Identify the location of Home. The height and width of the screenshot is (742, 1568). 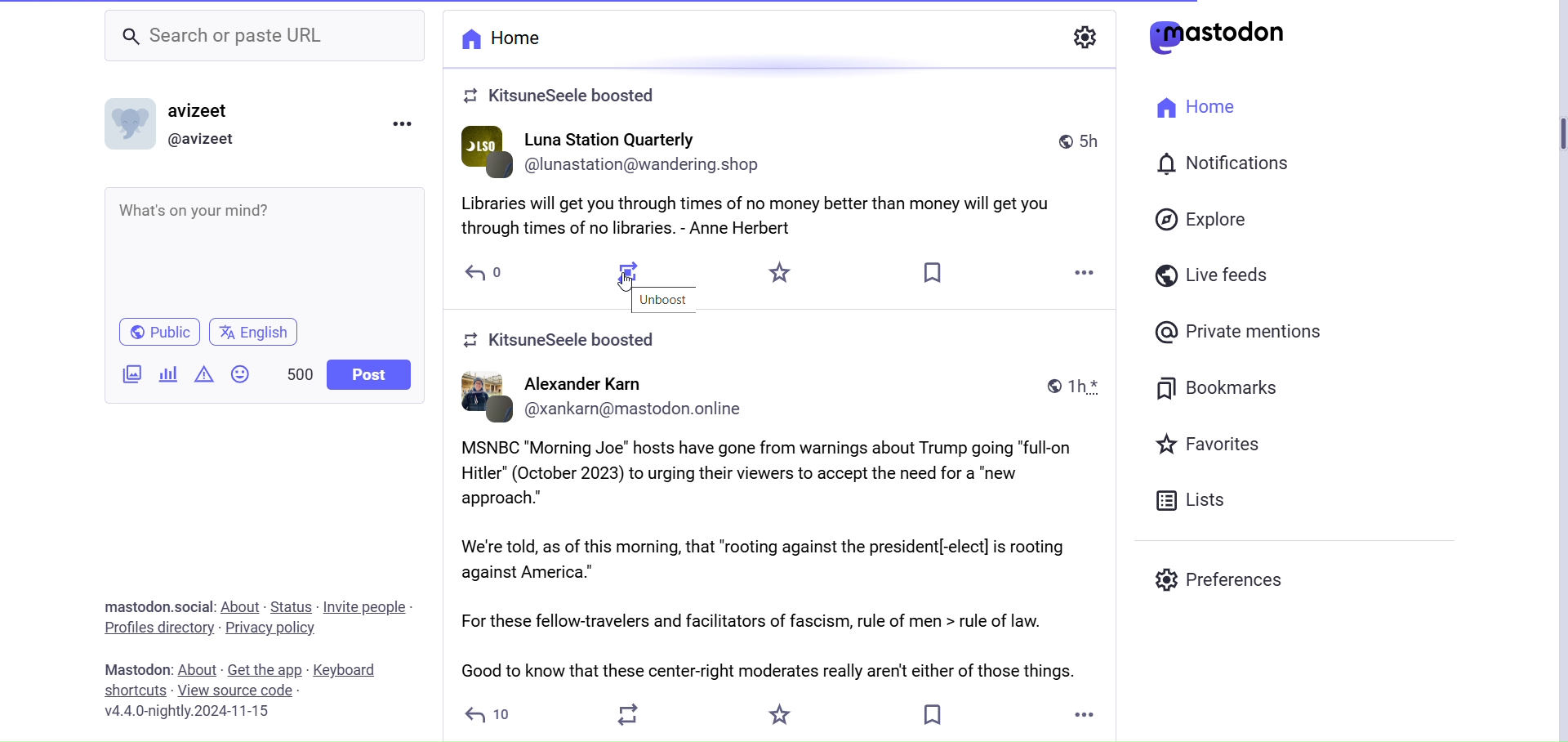
(1205, 108).